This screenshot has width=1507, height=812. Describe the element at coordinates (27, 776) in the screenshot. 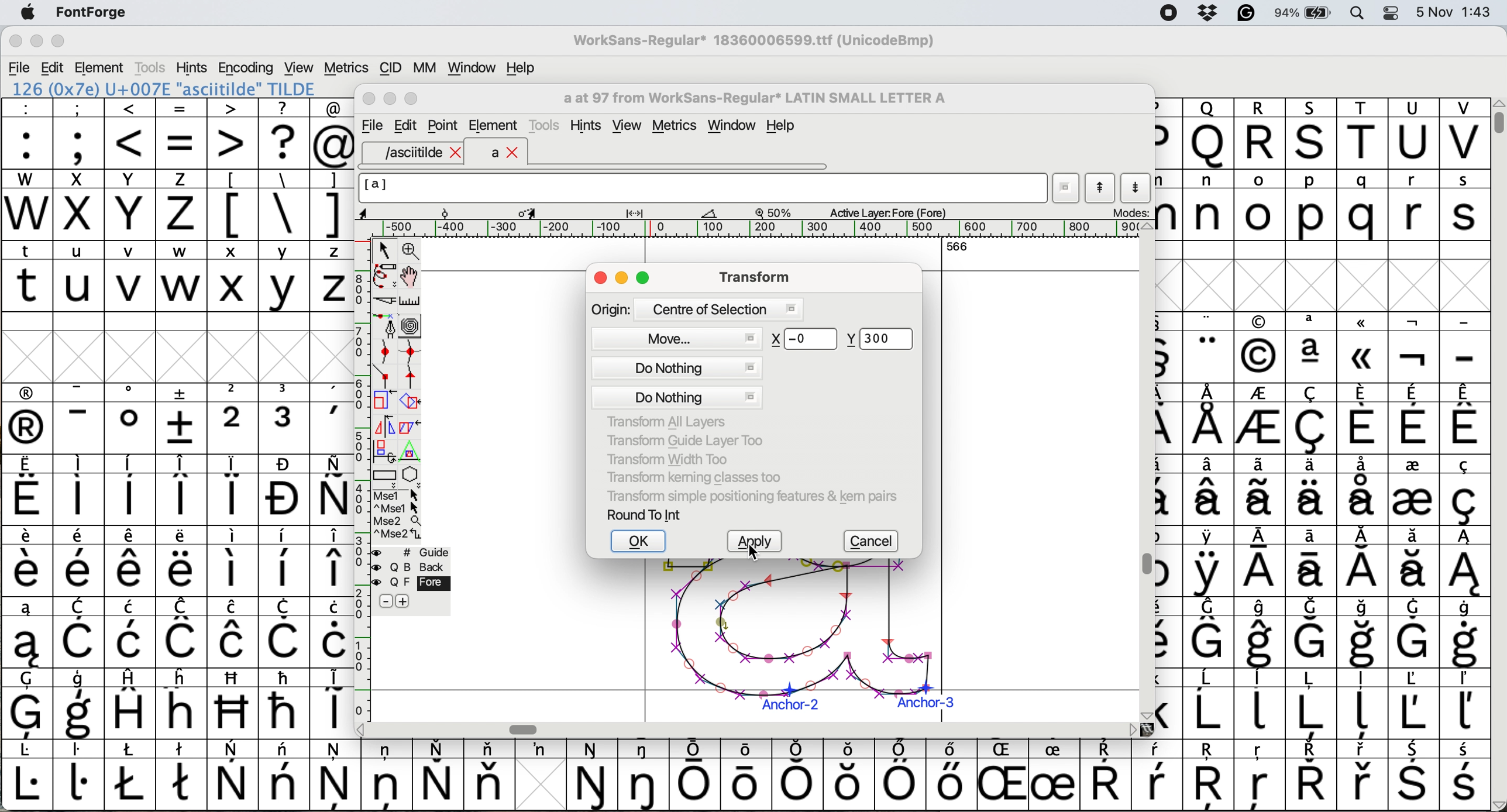

I see `symbol` at that location.